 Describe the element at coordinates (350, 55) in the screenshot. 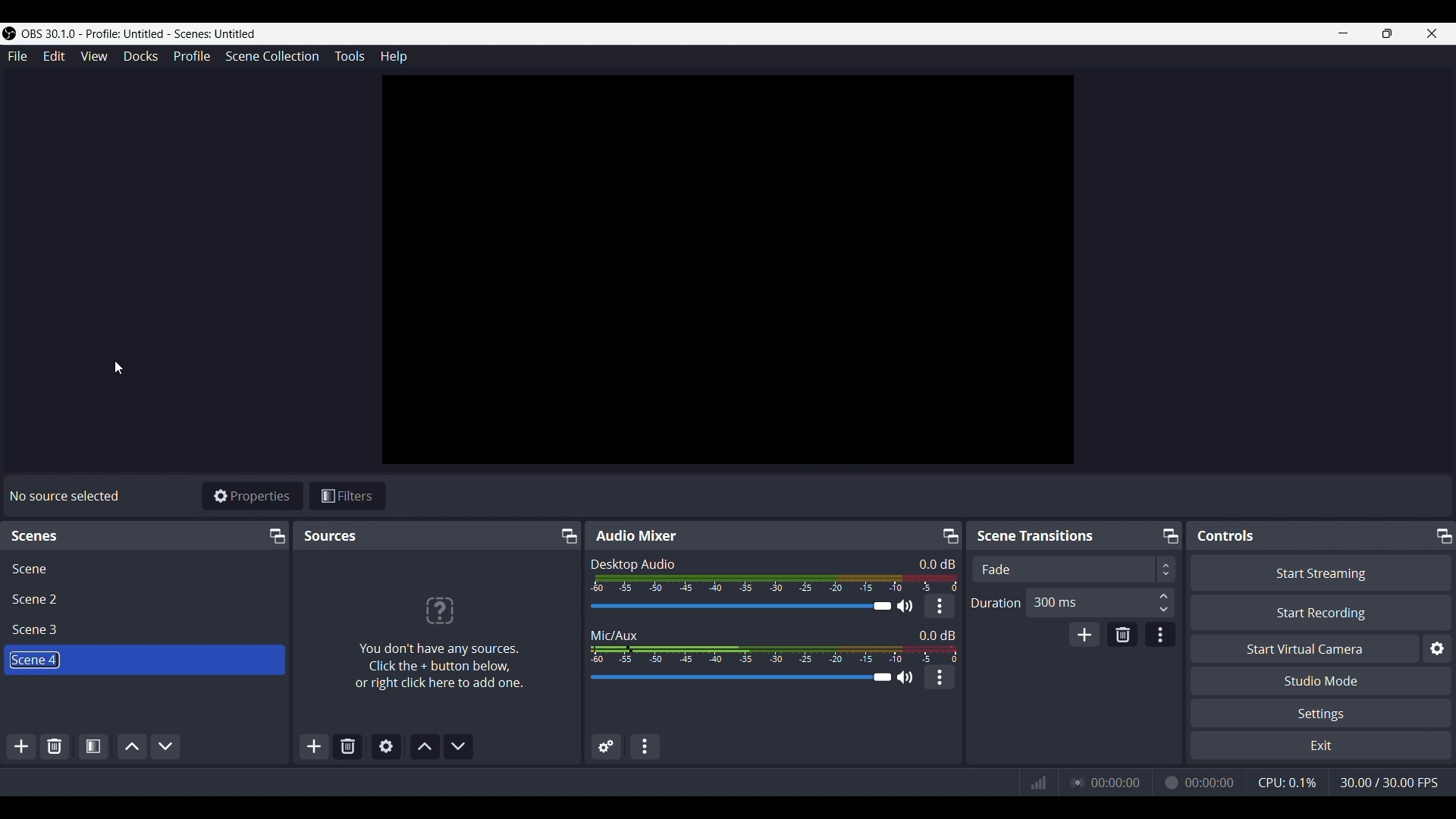

I see `Tools` at that location.